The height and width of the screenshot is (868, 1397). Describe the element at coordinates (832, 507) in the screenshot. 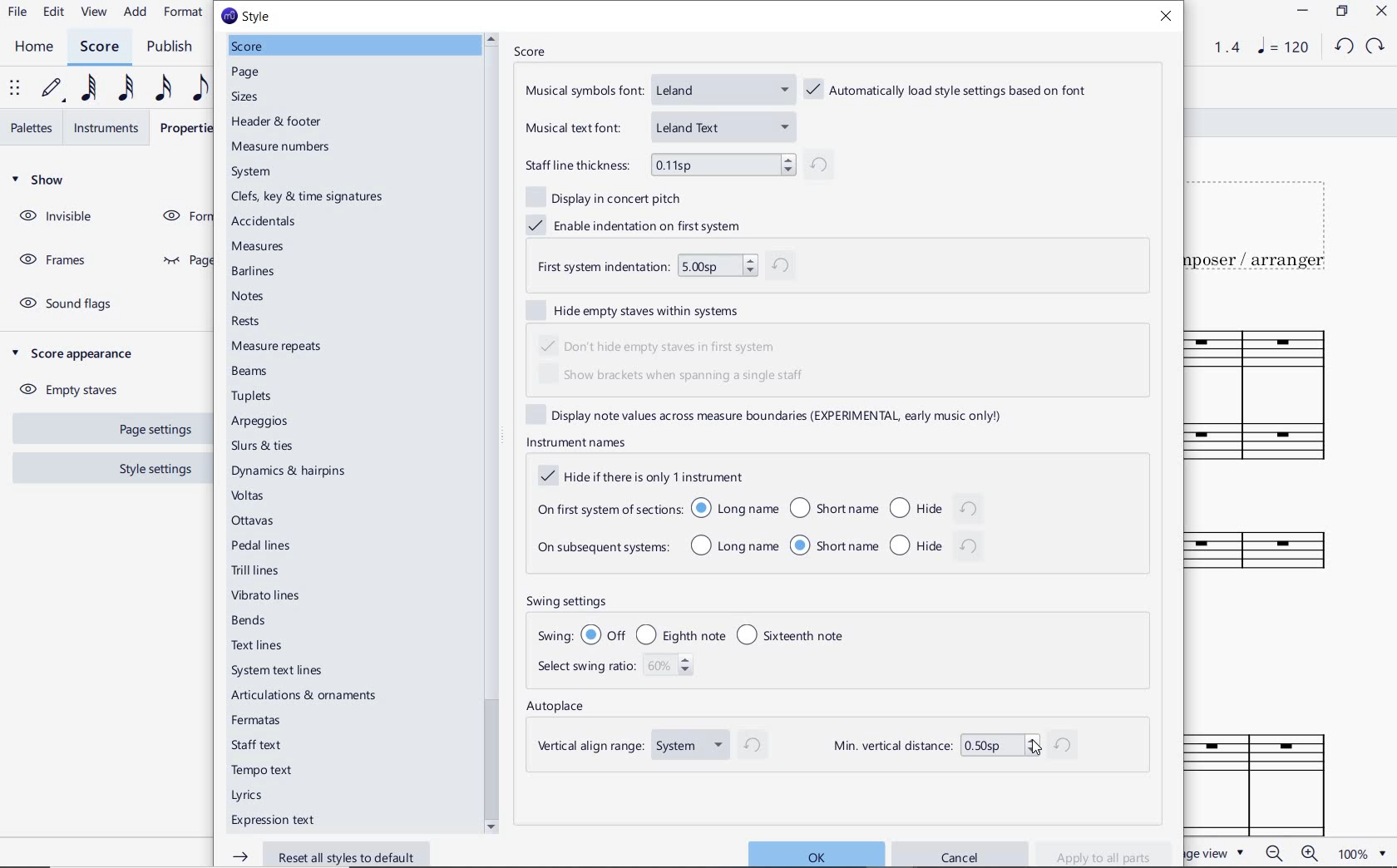

I see `short name` at that location.